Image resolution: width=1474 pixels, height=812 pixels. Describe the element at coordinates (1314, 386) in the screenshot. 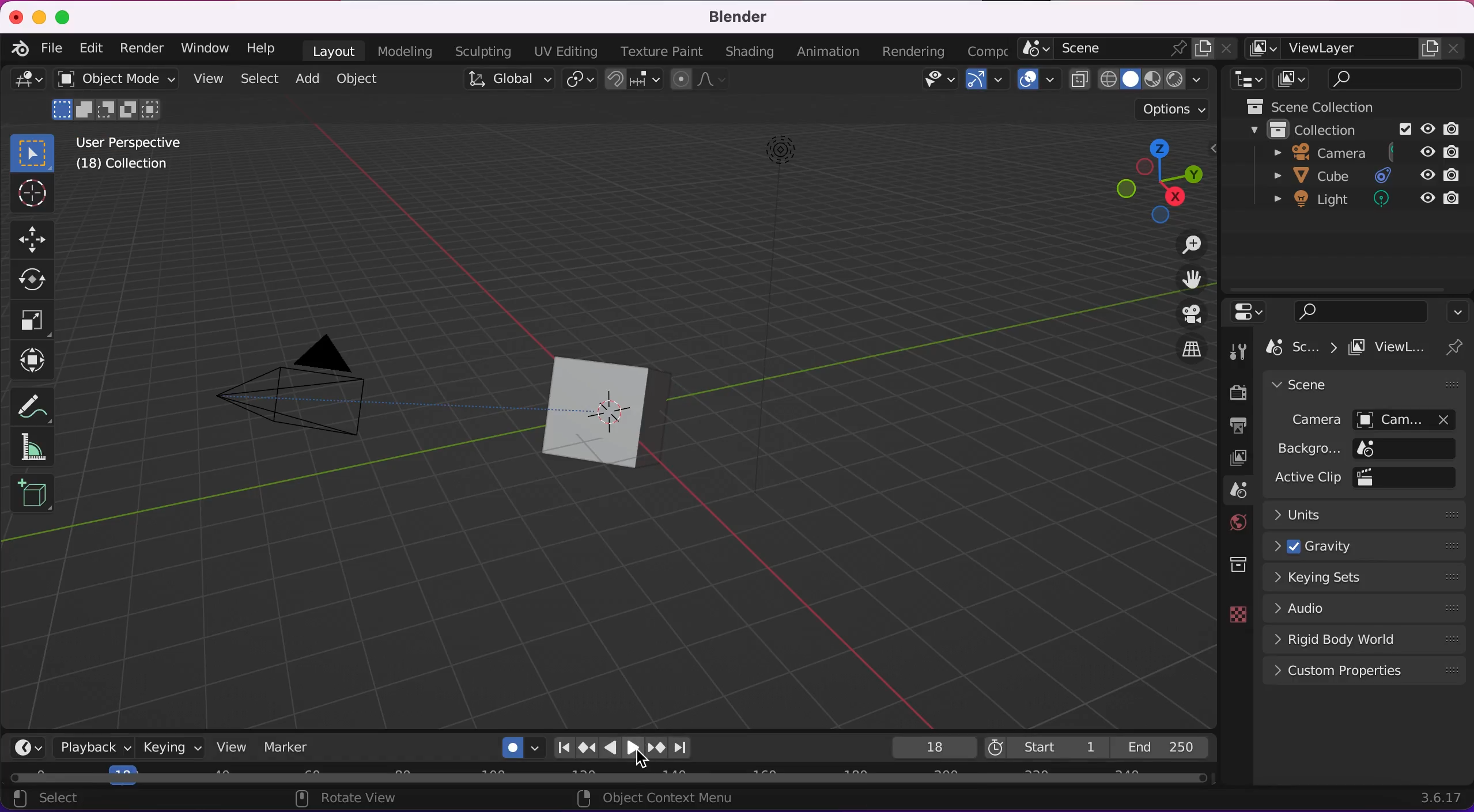

I see `scene` at that location.